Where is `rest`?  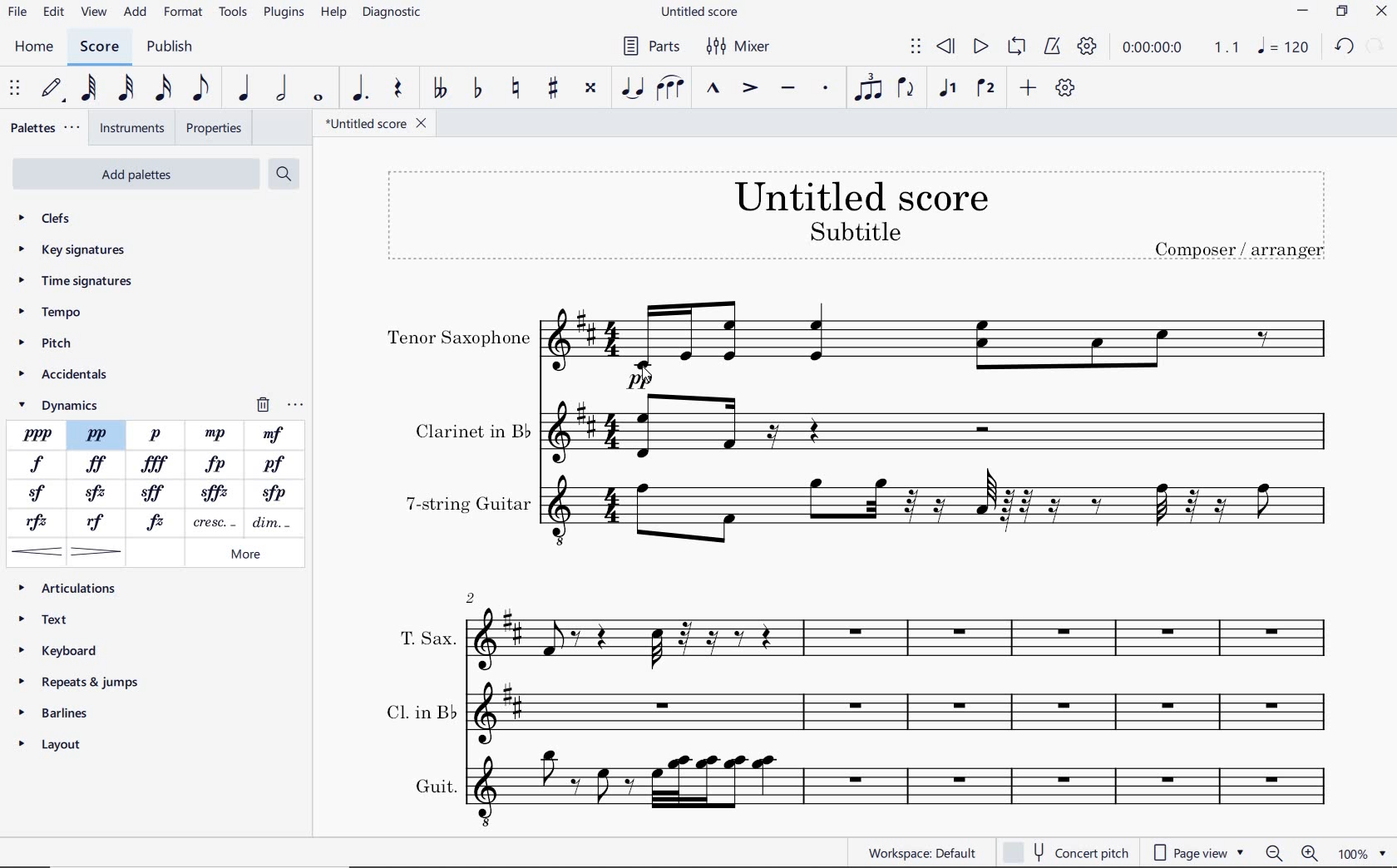
rest is located at coordinates (400, 89).